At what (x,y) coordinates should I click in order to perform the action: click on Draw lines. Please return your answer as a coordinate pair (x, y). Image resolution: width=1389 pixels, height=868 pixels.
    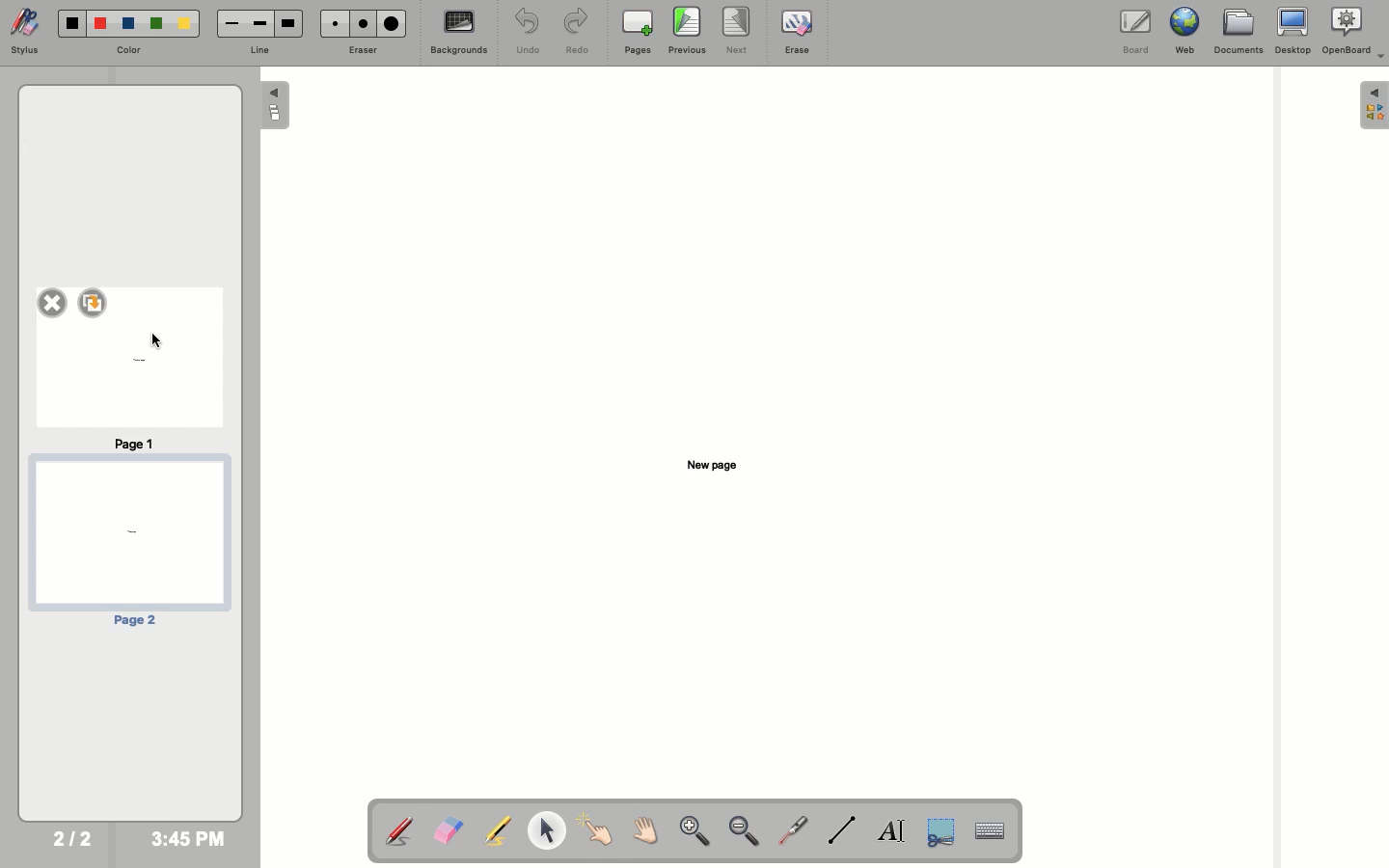
    Looking at the image, I should click on (841, 830).